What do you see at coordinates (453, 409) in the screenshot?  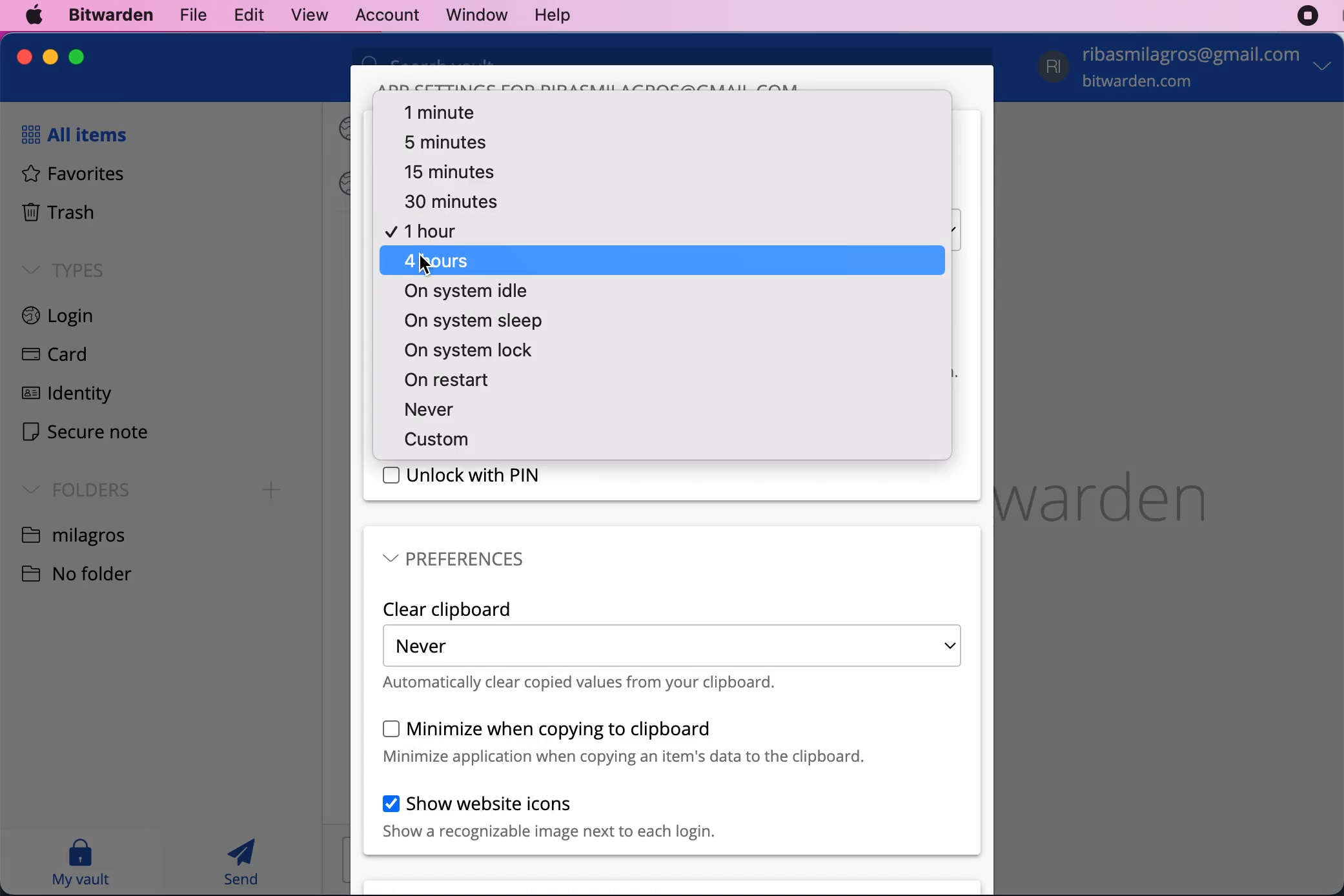 I see `never` at bounding box center [453, 409].